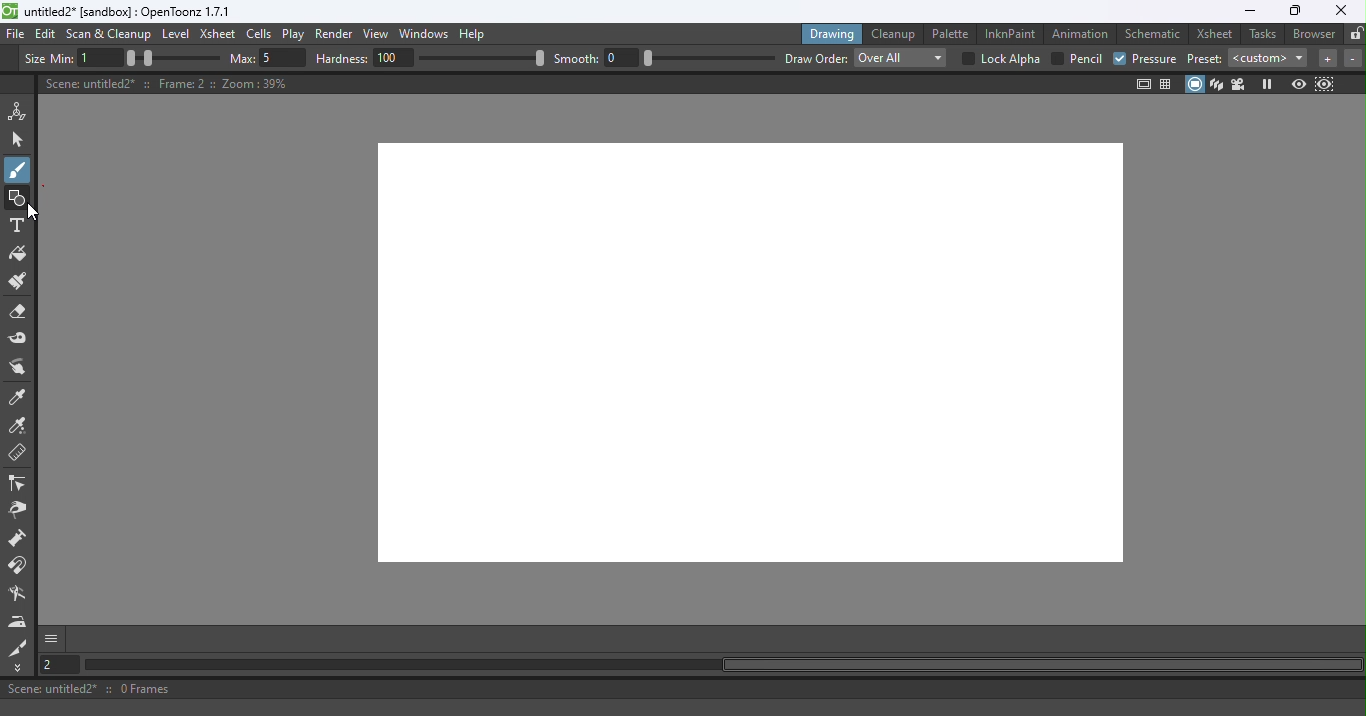  What do you see at coordinates (709, 58) in the screenshot?
I see `slider` at bounding box center [709, 58].